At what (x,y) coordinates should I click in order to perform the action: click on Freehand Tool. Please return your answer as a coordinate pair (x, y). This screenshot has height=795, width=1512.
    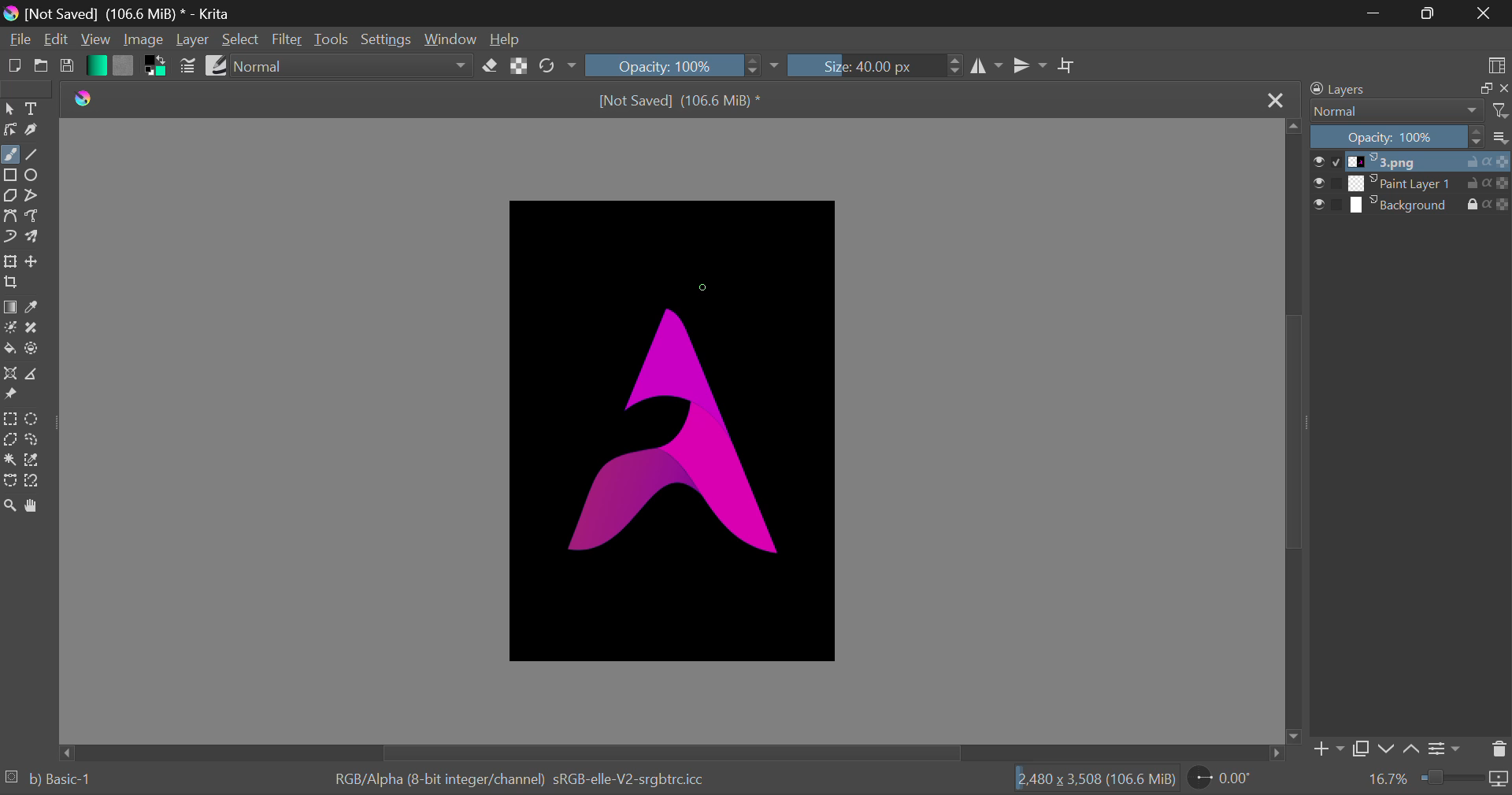
    Looking at the image, I should click on (9, 154).